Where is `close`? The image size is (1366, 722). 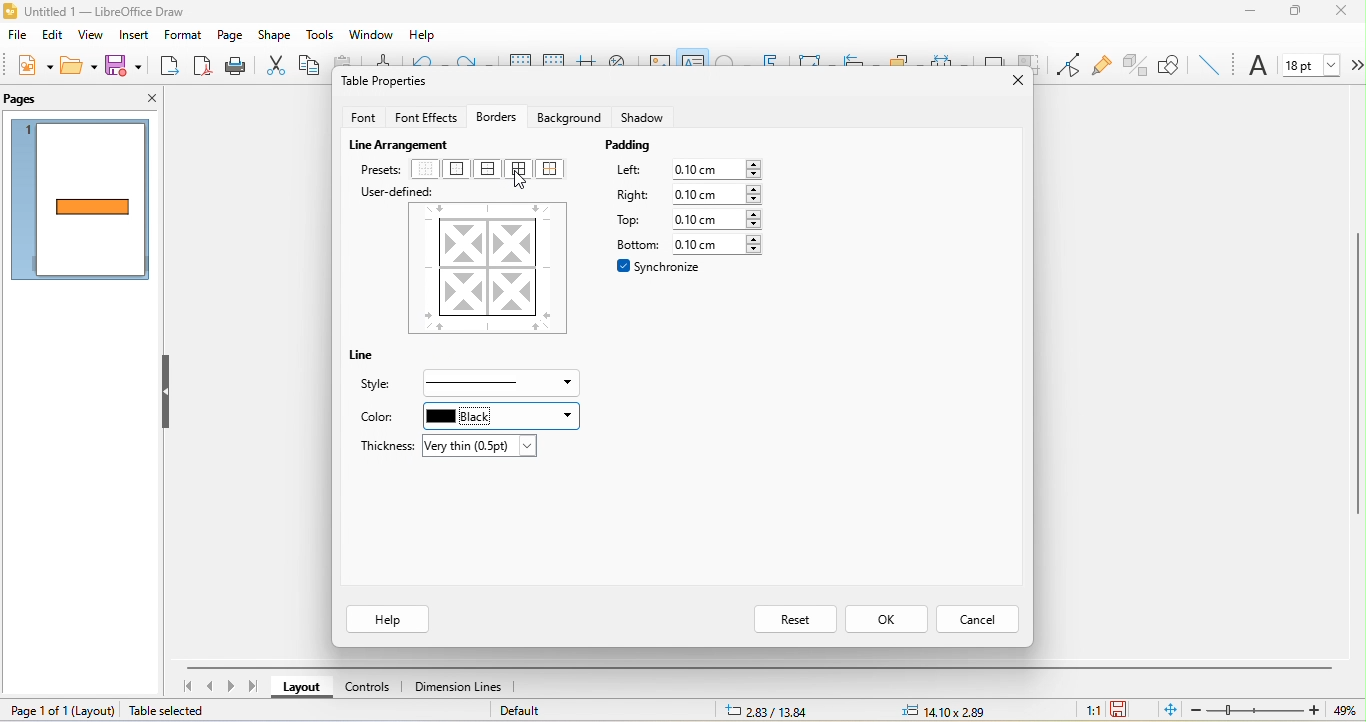 close is located at coordinates (1012, 77).